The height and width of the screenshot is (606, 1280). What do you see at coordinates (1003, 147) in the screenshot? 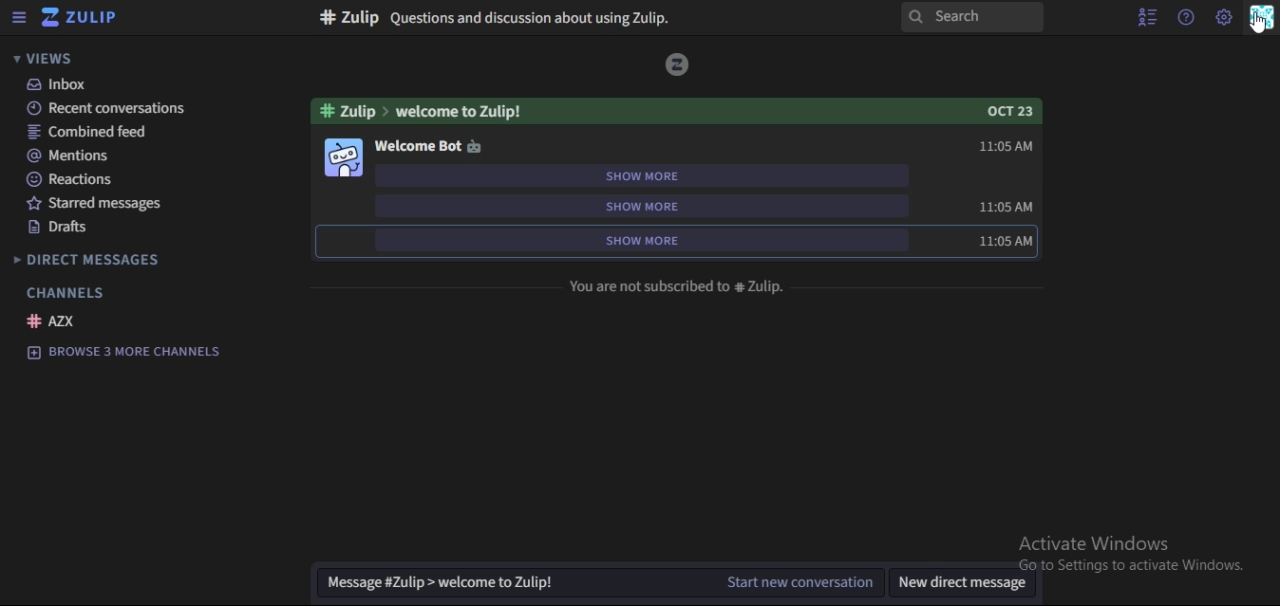
I see `11:05 AM` at bounding box center [1003, 147].